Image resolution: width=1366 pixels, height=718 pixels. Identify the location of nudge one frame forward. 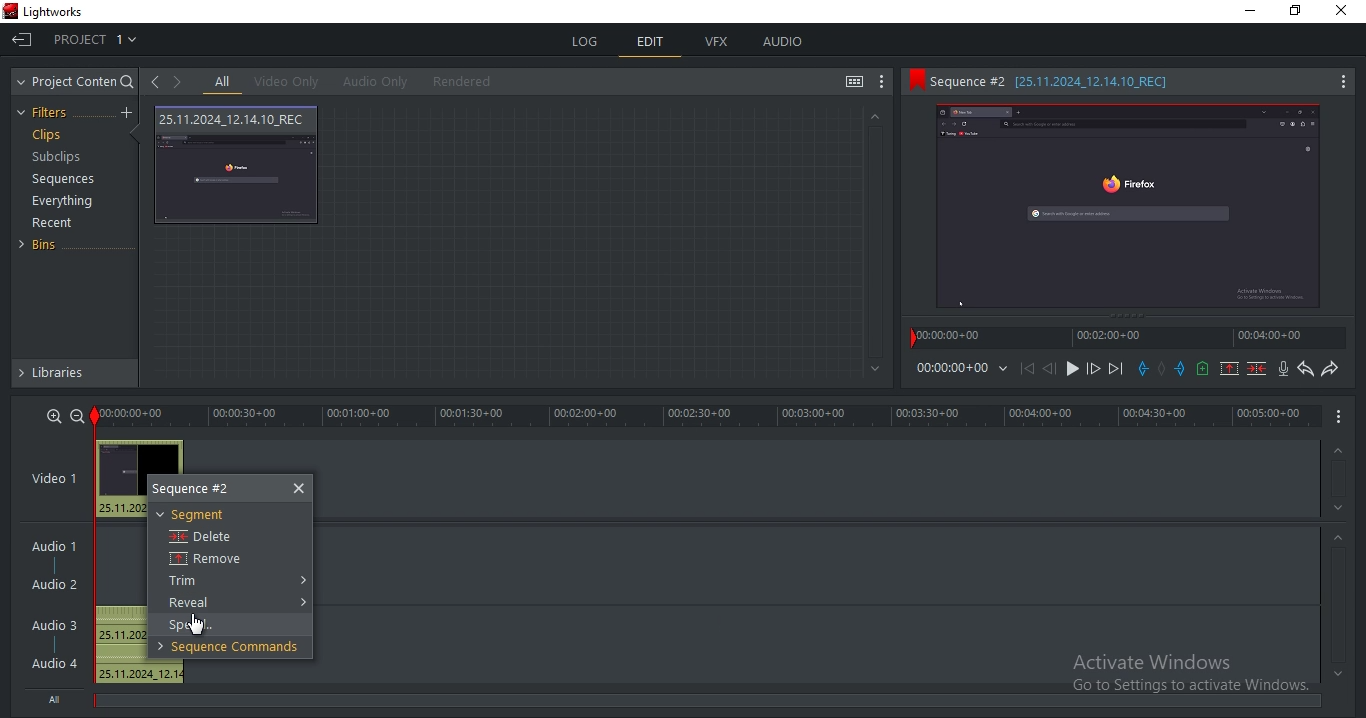
(1092, 369).